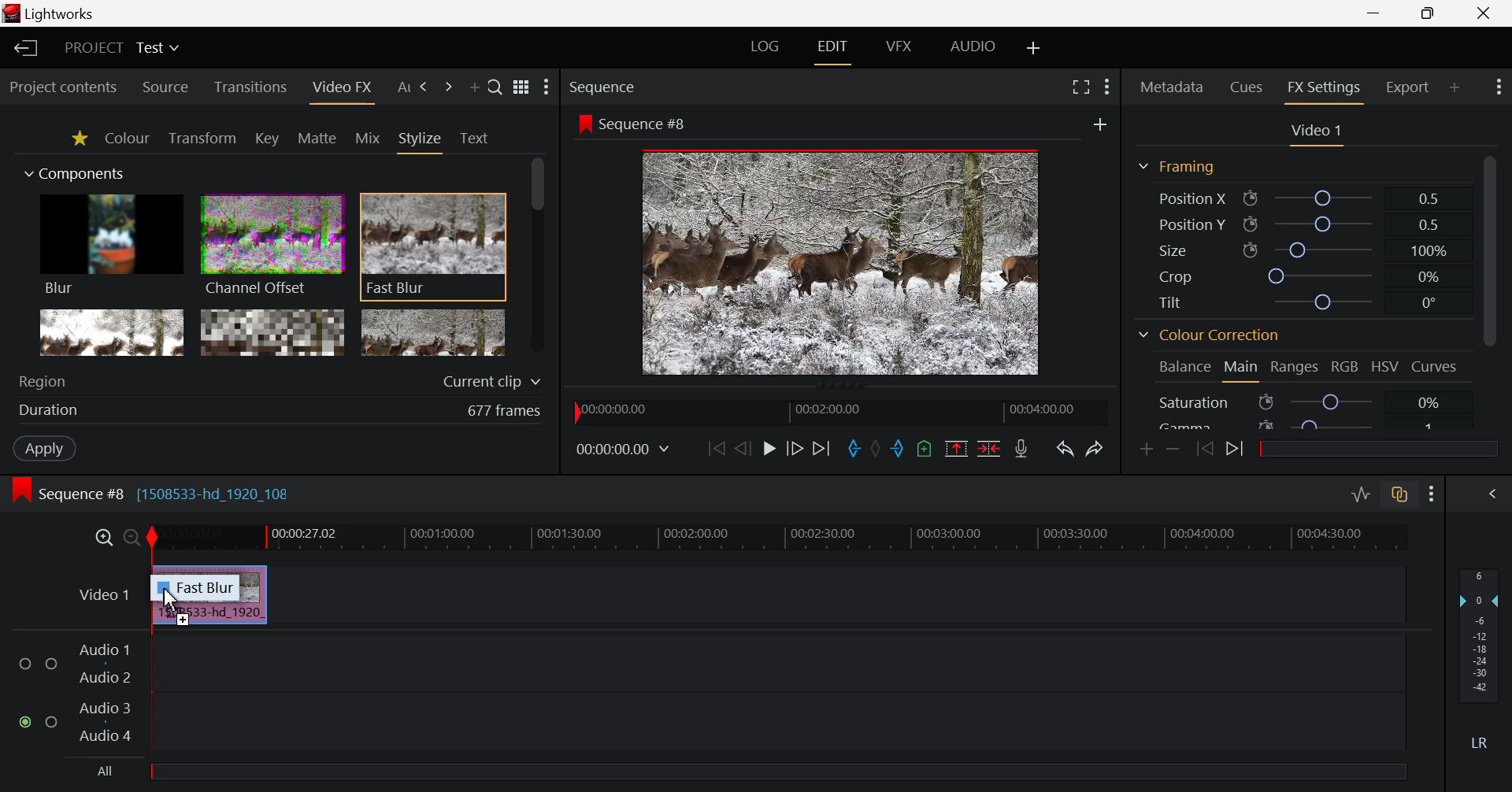  What do you see at coordinates (420, 139) in the screenshot?
I see `Stylize Tab Open` at bounding box center [420, 139].